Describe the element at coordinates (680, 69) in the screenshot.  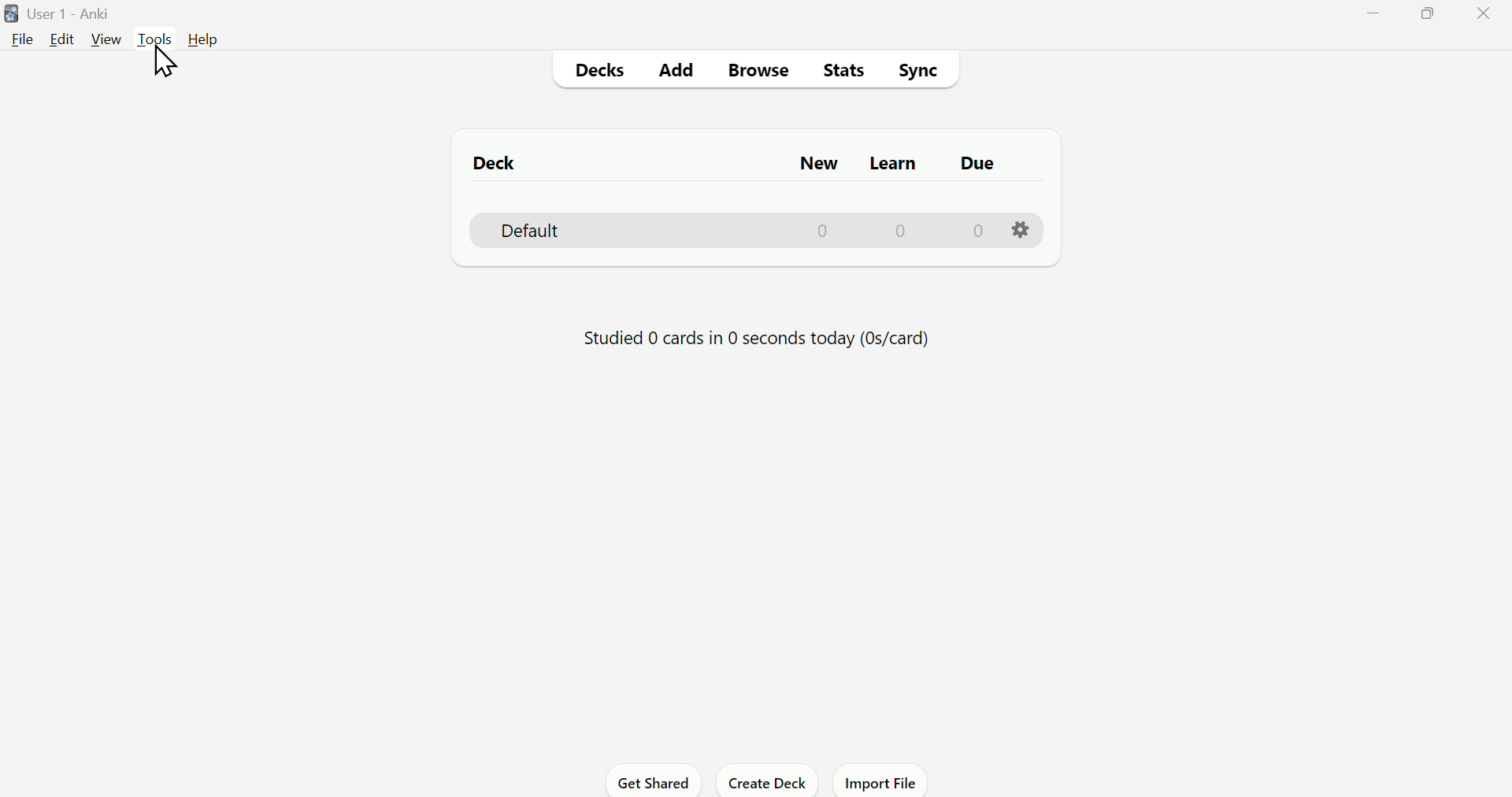
I see `Add` at that location.